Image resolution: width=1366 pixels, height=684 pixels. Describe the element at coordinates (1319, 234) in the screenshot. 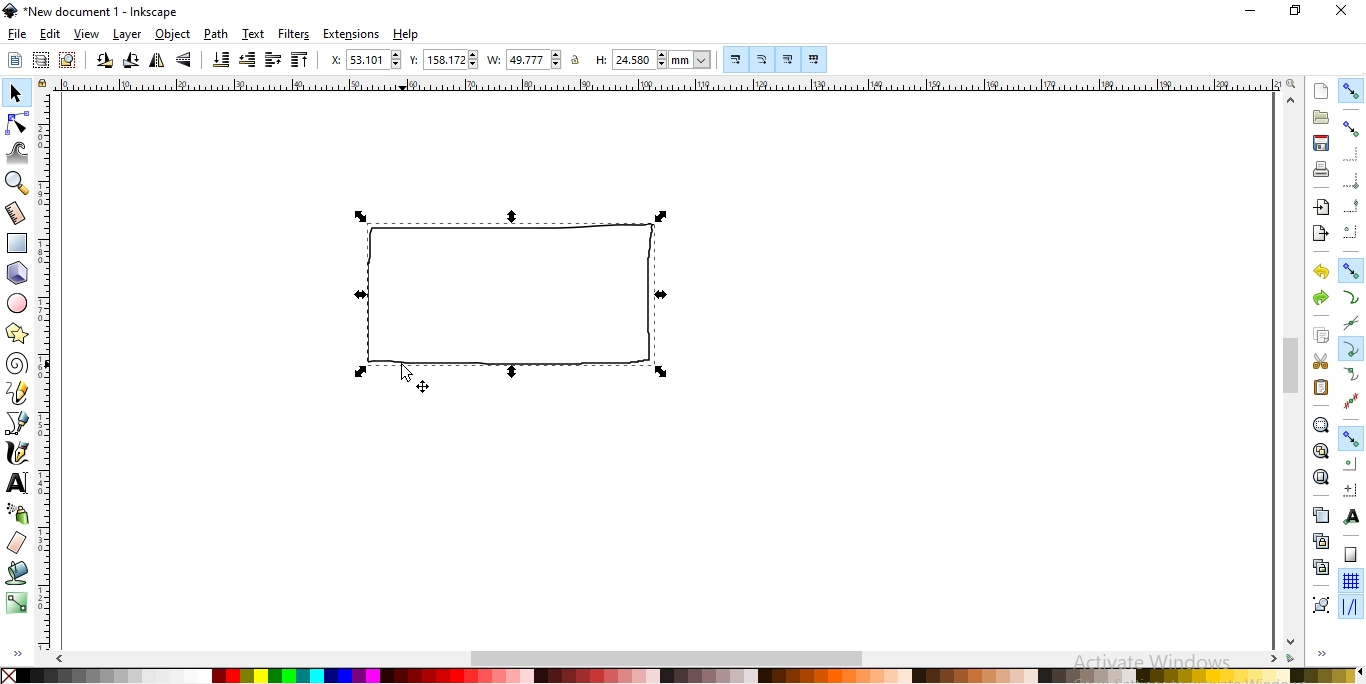

I see `export a document` at that location.